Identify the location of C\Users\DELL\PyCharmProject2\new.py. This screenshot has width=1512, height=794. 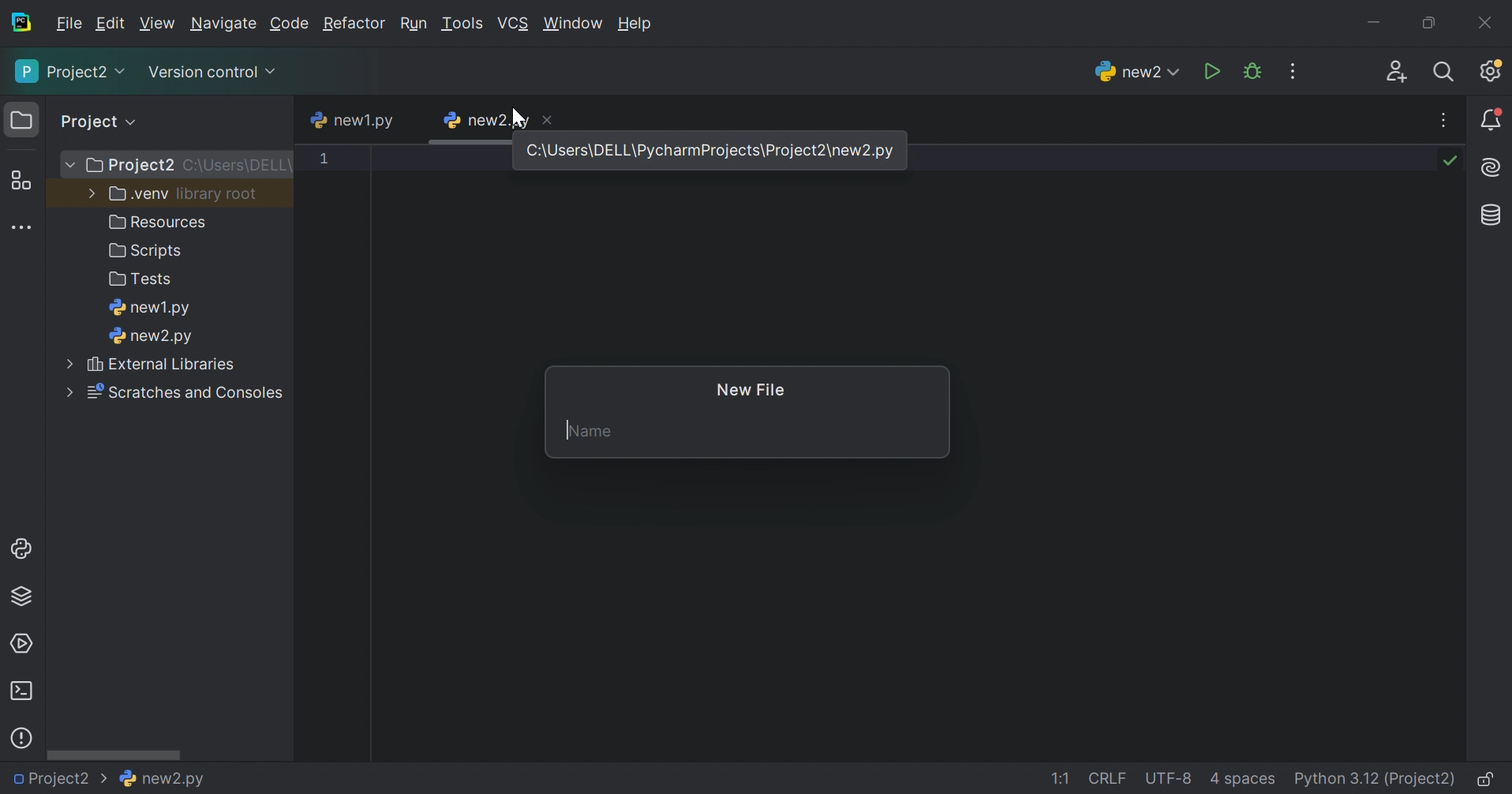
(714, 151).